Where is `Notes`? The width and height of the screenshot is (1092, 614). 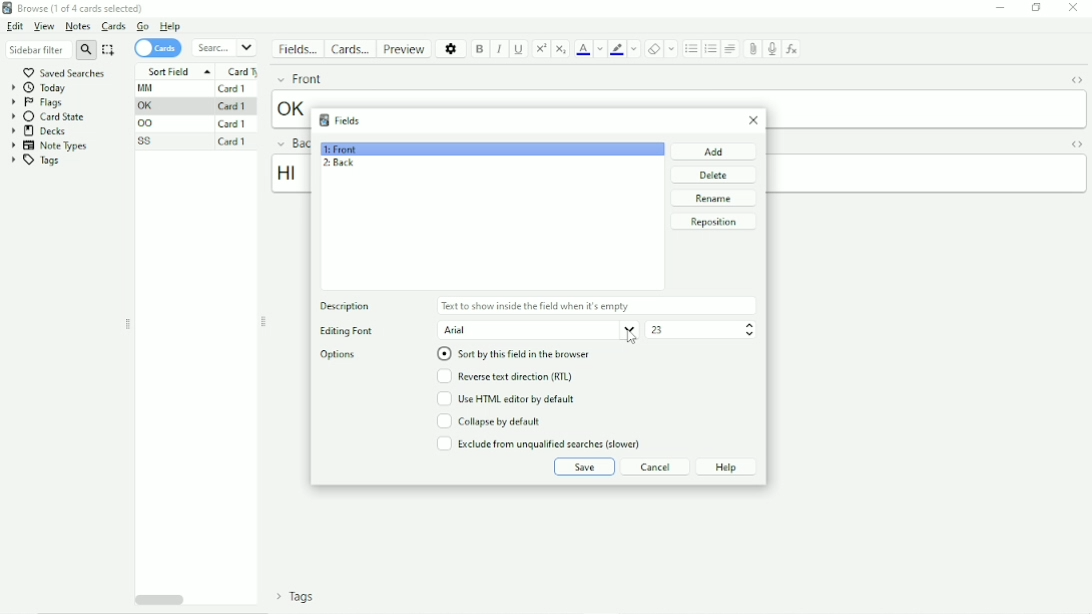
Notes is located at coordinates (77, 26).